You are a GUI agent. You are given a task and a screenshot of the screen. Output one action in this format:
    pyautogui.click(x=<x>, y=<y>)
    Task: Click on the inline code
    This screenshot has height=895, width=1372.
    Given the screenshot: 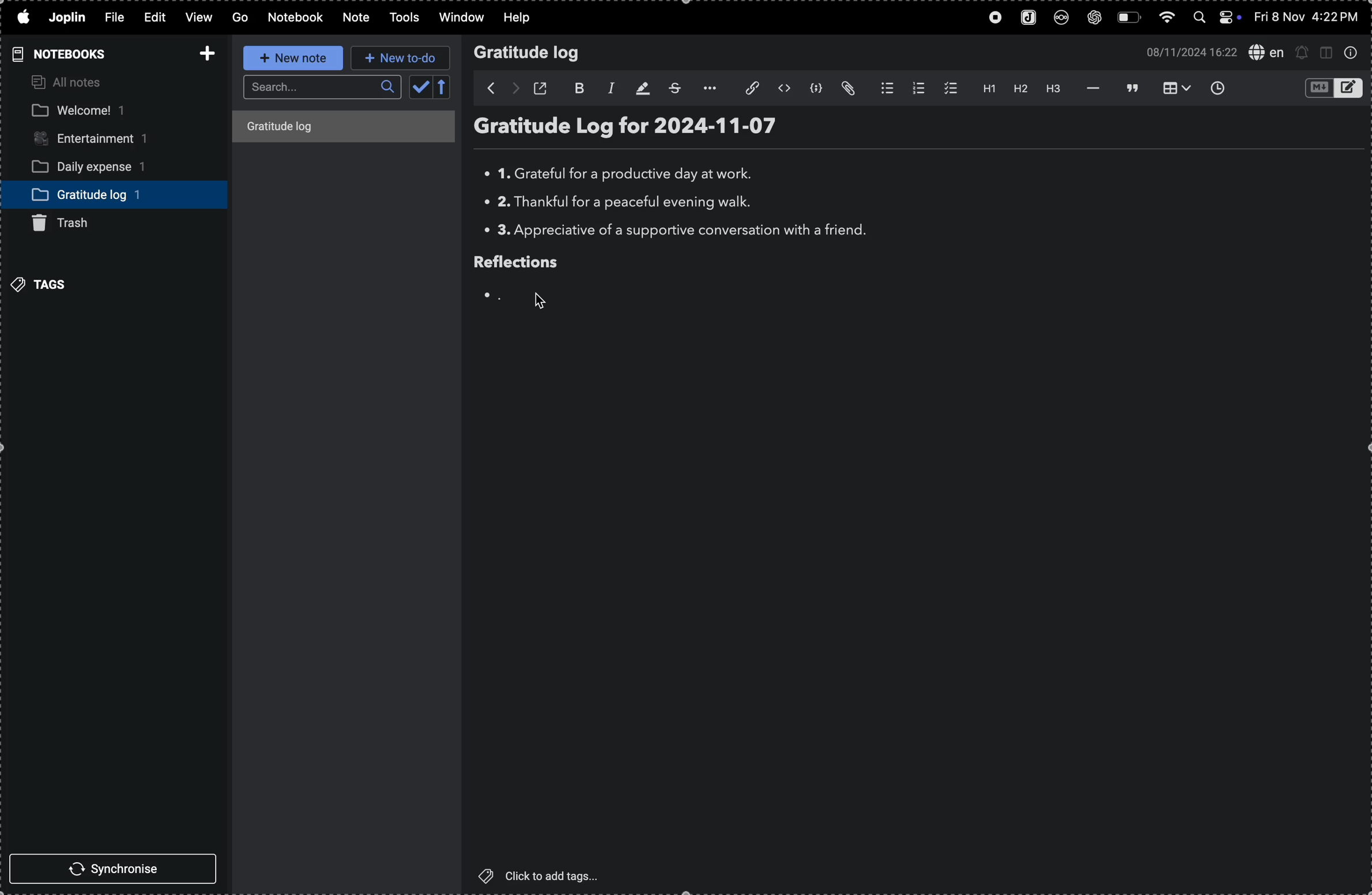 What is the action you would take?
    pyautogui.click(x=785, y=89)
    